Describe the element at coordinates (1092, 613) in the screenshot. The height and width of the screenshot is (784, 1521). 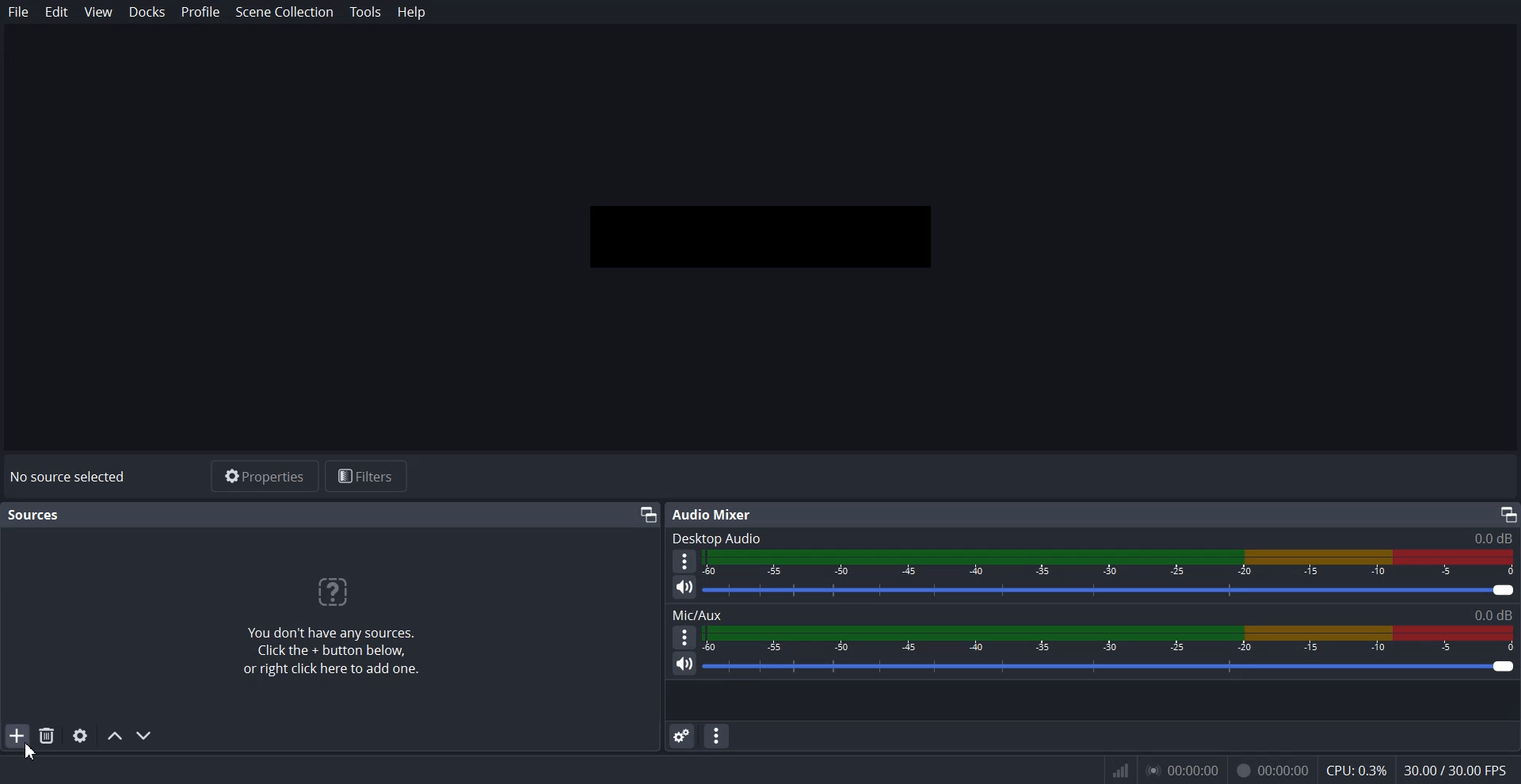
I see `Text` at that location.